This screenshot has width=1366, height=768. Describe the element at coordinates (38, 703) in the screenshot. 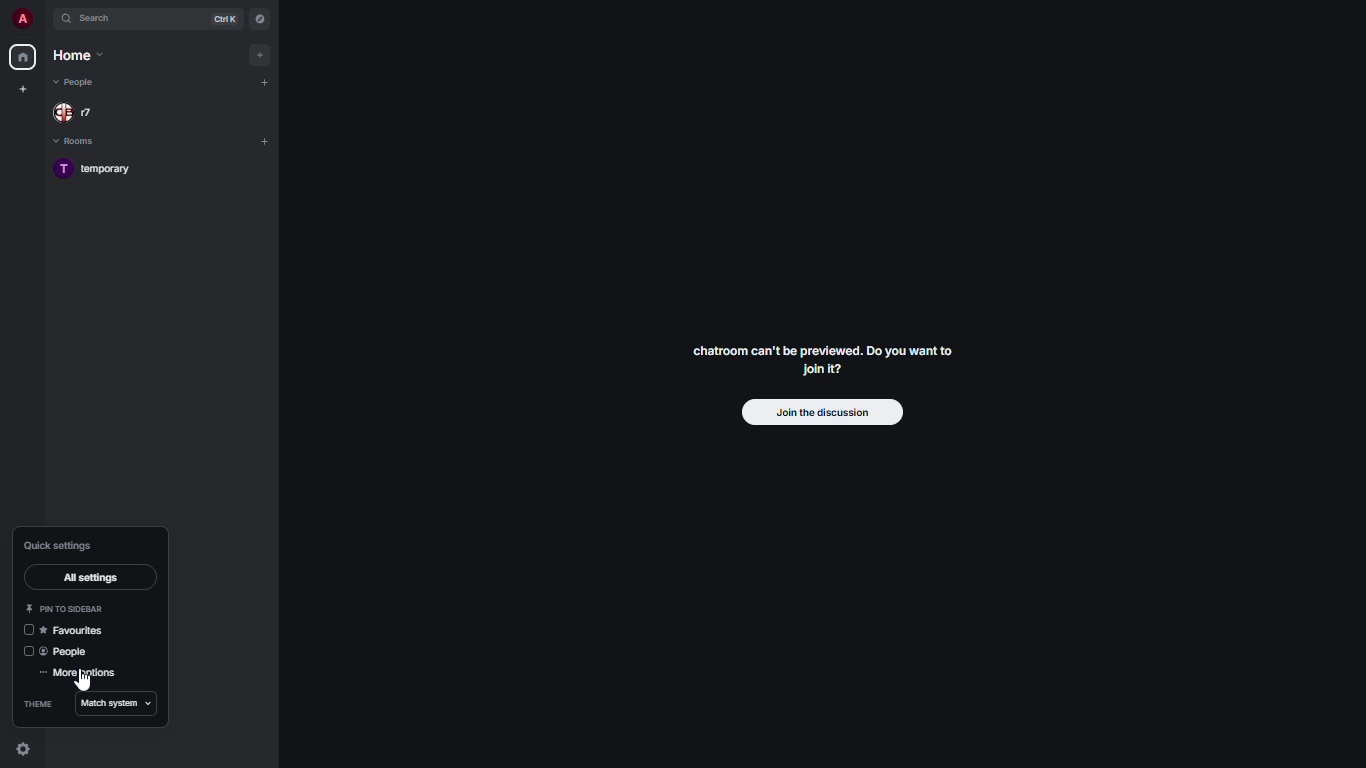

I see `theme` at that location.